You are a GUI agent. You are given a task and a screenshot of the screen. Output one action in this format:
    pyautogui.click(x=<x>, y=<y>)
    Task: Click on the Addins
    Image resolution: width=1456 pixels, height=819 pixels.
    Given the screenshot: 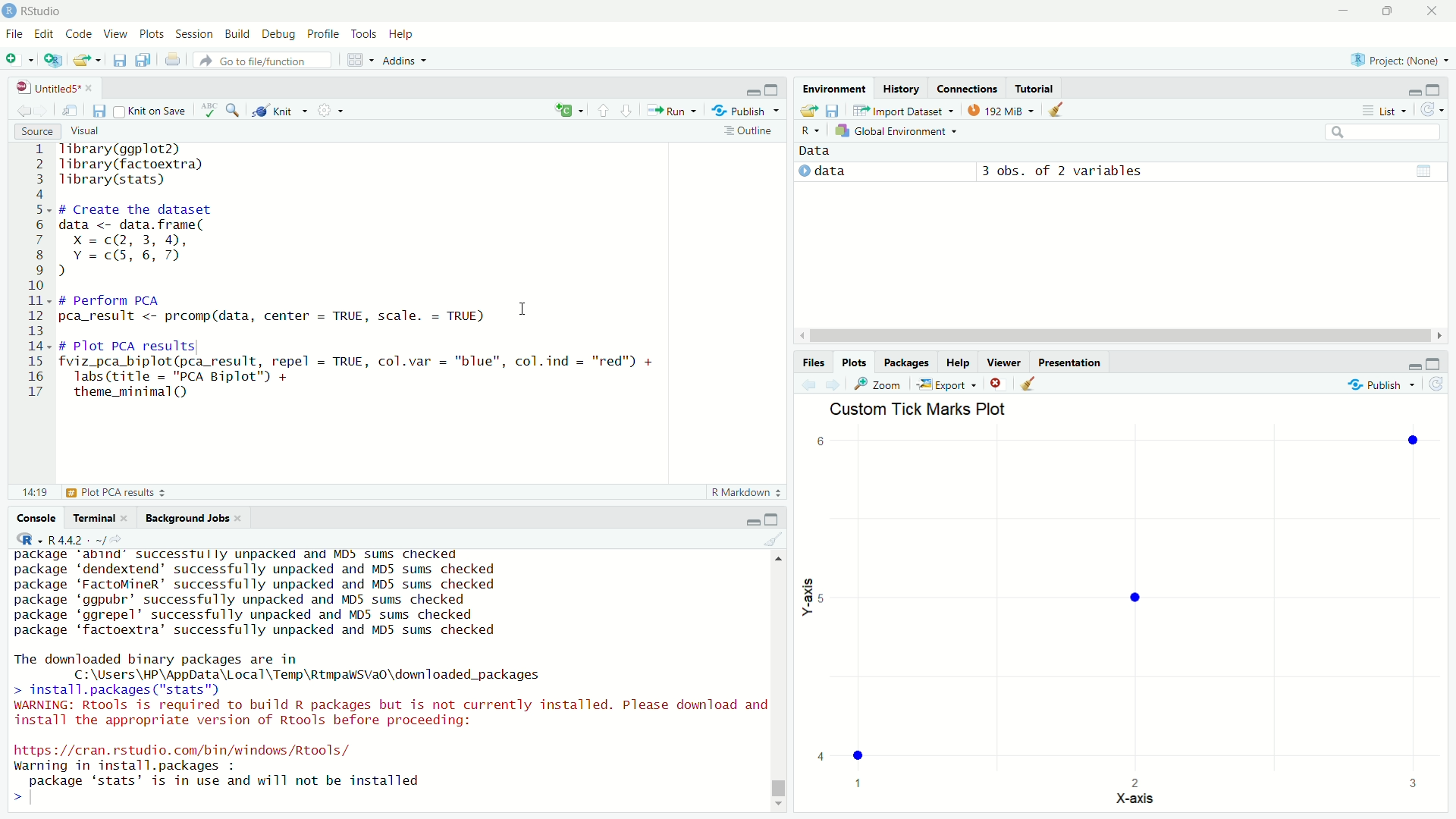 What is the action you would take?
    pyautogui.click(x=405, y=60)
    